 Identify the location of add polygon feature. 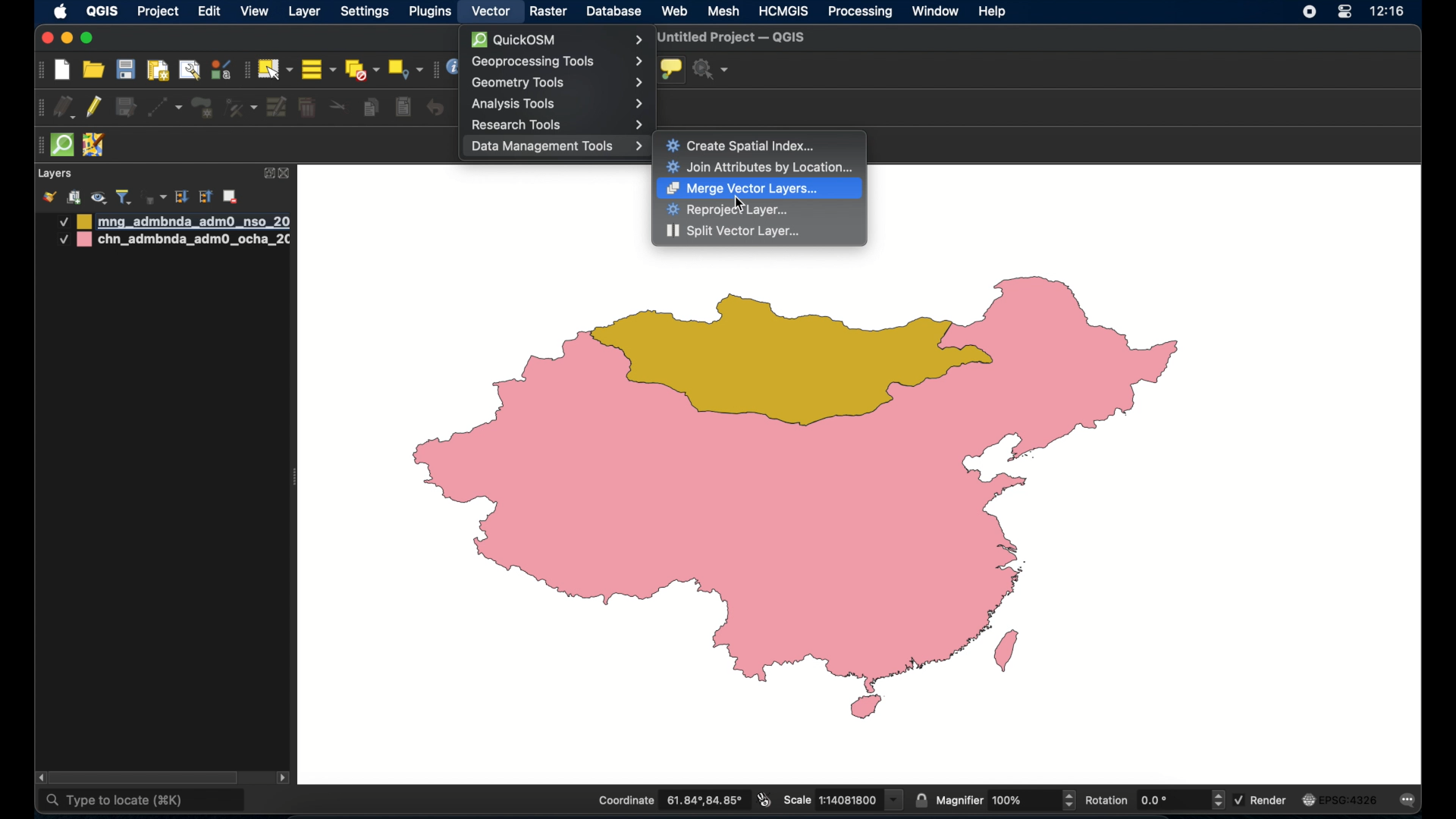
(202, 108).